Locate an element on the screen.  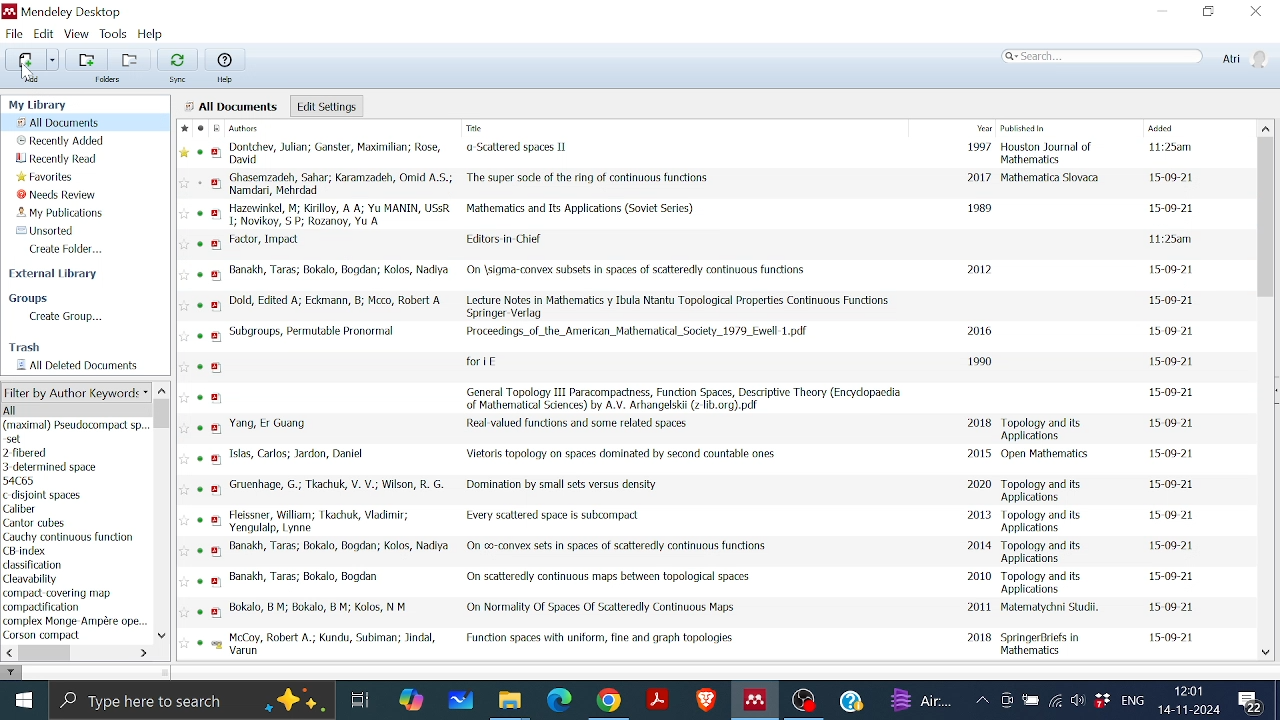
My library is located at coordinates (36, 104).